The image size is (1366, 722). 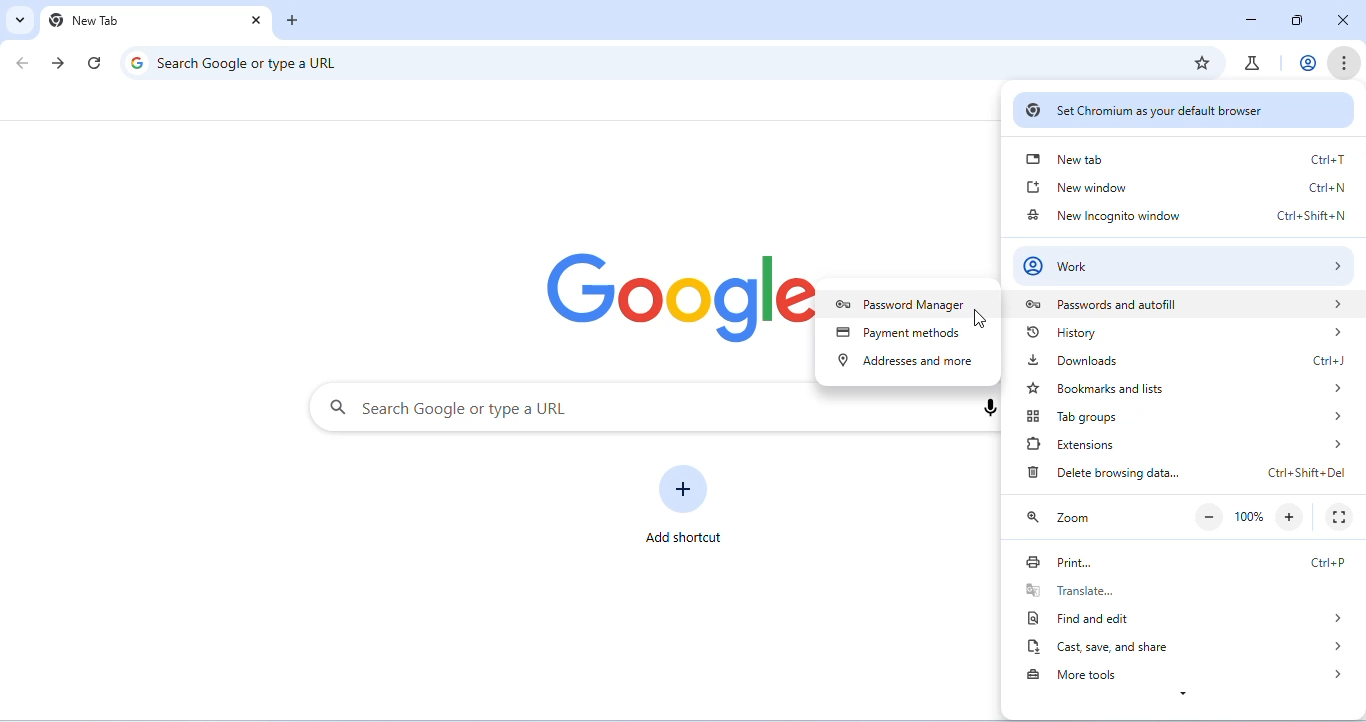 I want to click on account, so click(x=1305, y=63).